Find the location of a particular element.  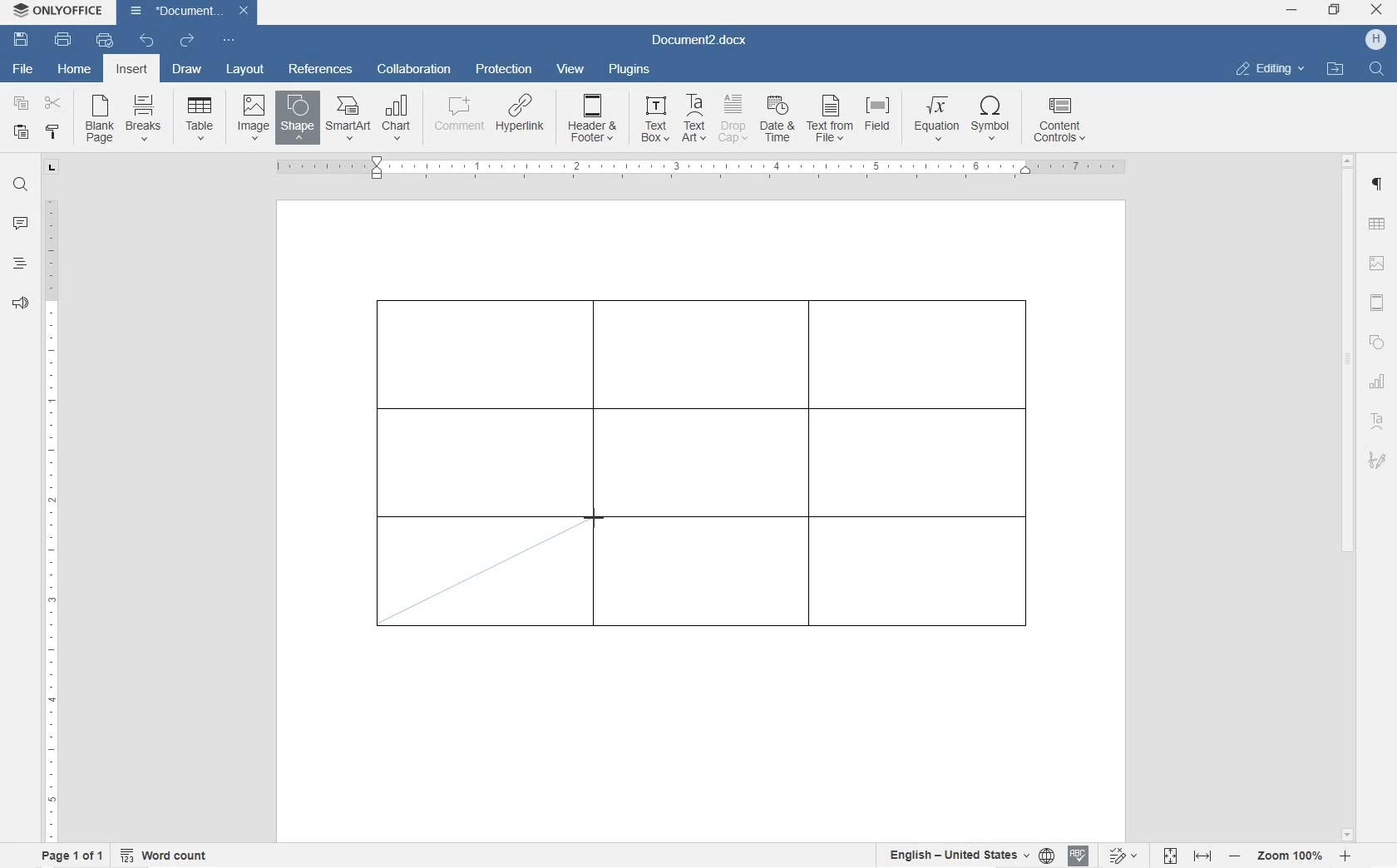

blank page is located at coordinates (97, 121).